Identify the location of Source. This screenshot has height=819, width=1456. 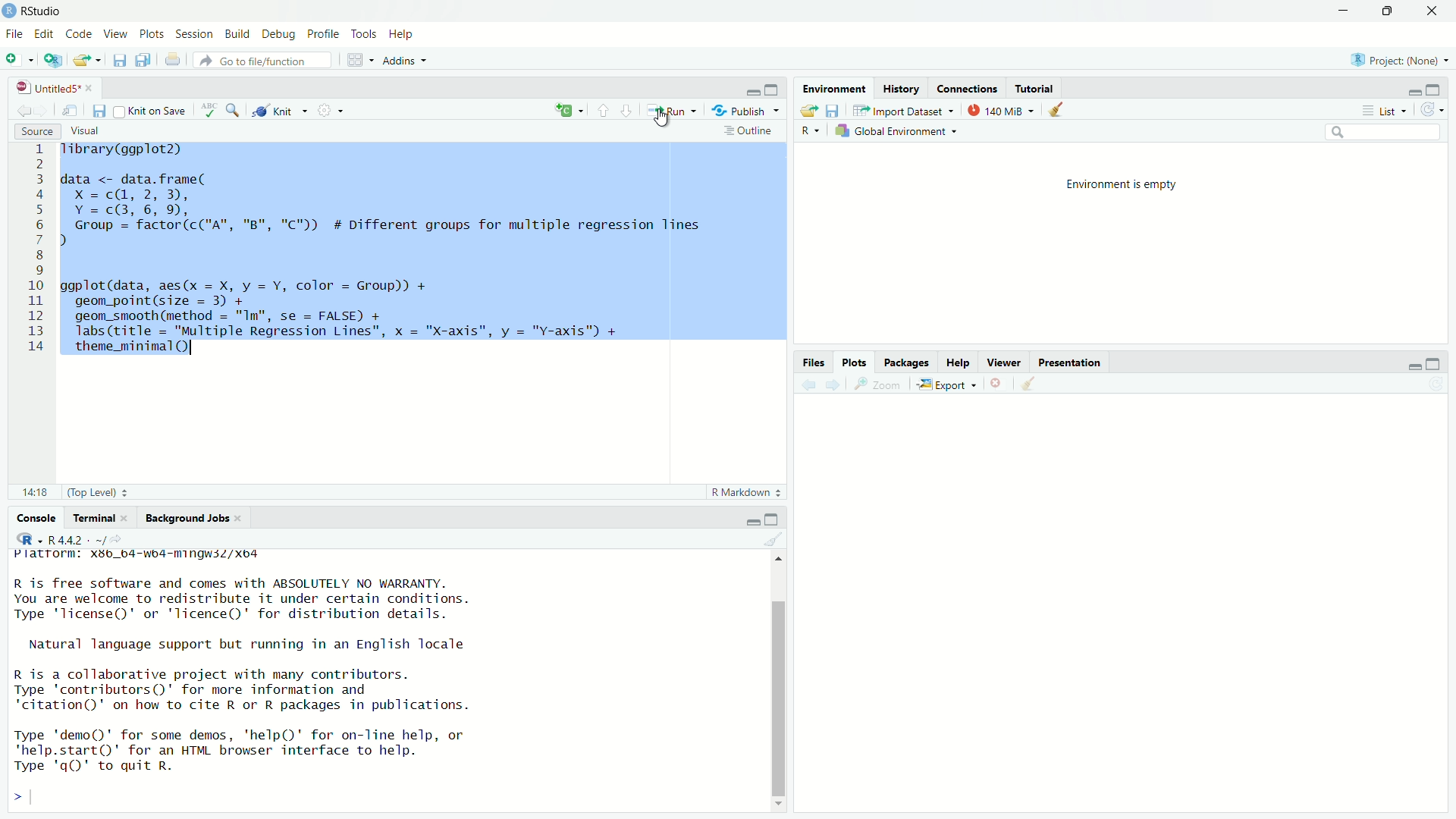
(36, 132).